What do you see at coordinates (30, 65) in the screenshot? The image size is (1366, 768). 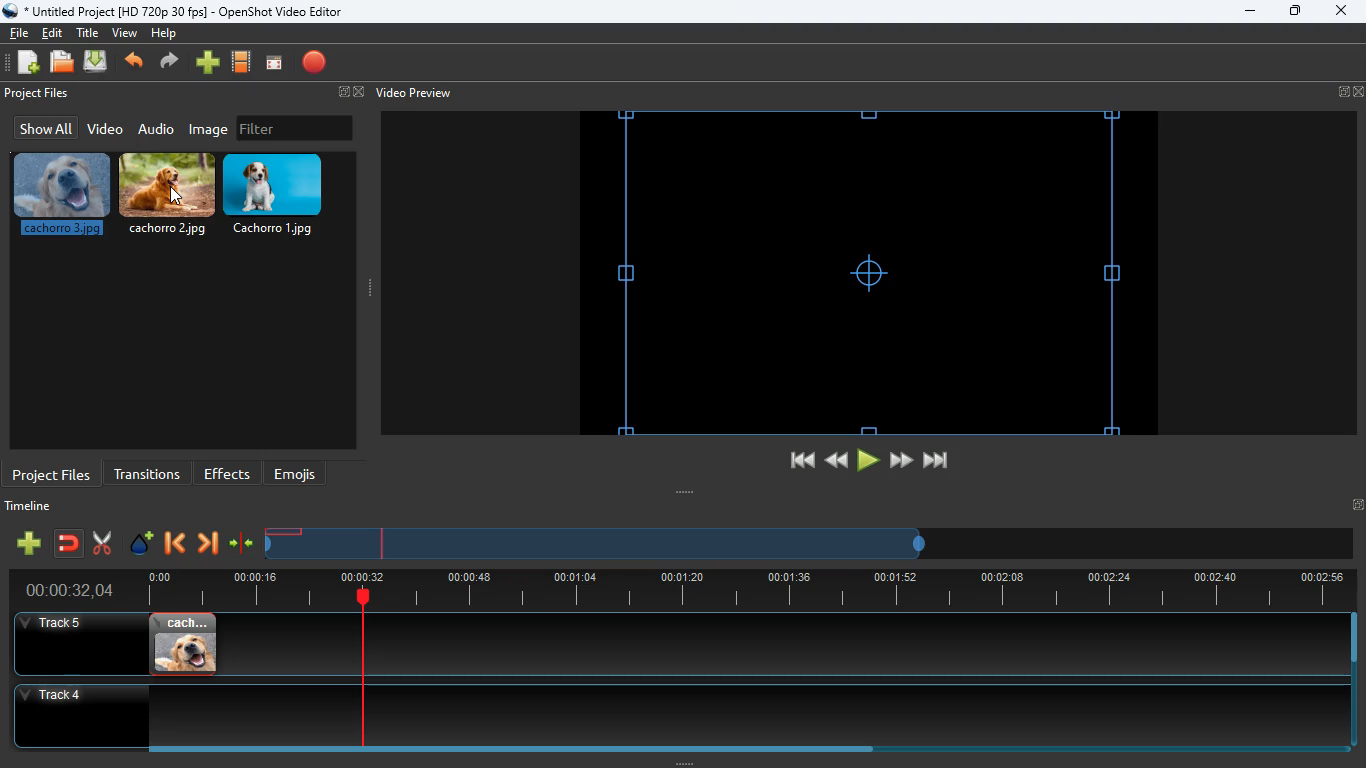 I see `add files` at bounding box center [30, 65].